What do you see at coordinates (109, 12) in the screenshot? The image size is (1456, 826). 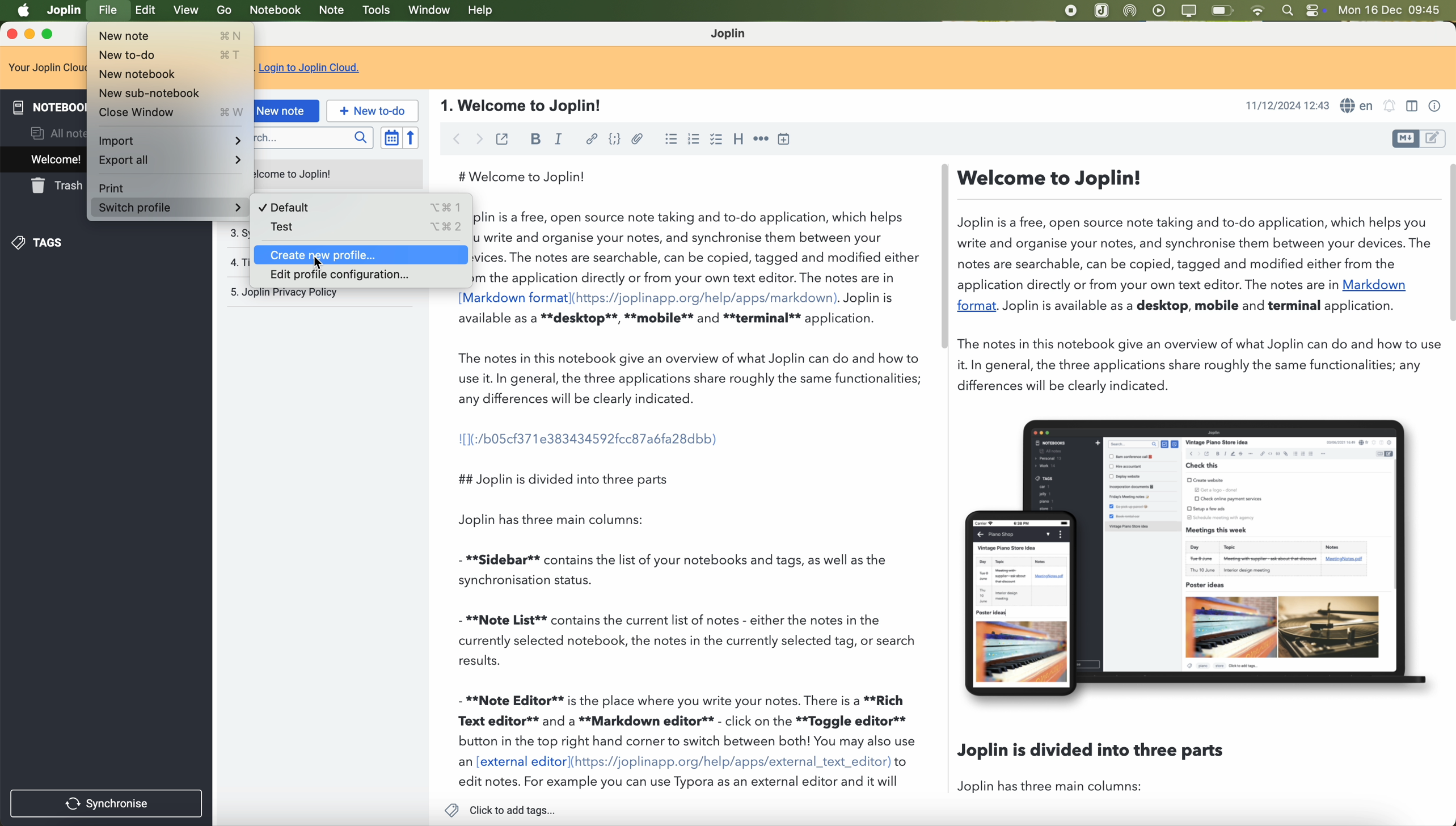 I see `click on file` at bounding box center [109, 12].